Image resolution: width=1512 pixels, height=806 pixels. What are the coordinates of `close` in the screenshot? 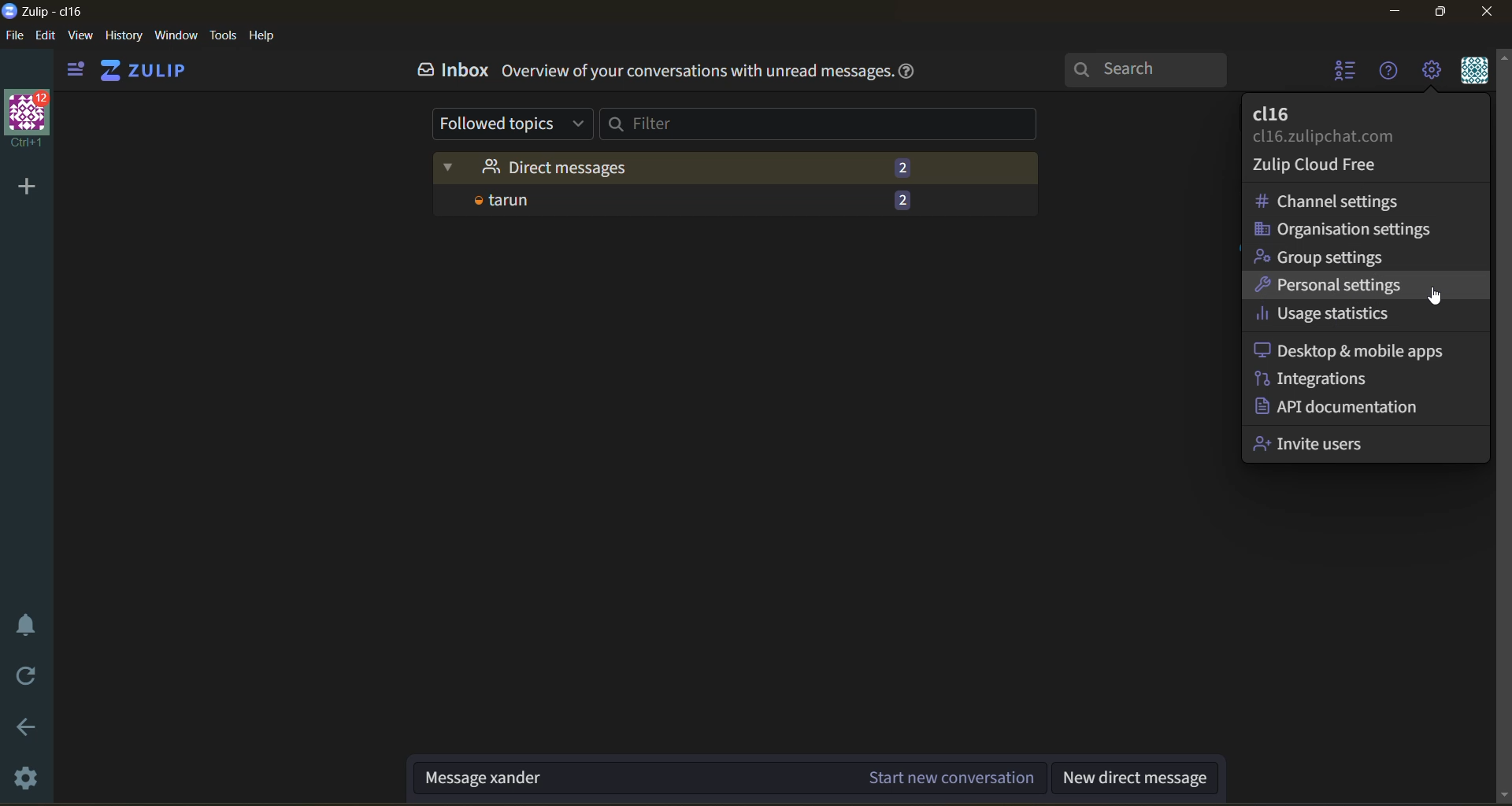 It's located at (1490, 12).